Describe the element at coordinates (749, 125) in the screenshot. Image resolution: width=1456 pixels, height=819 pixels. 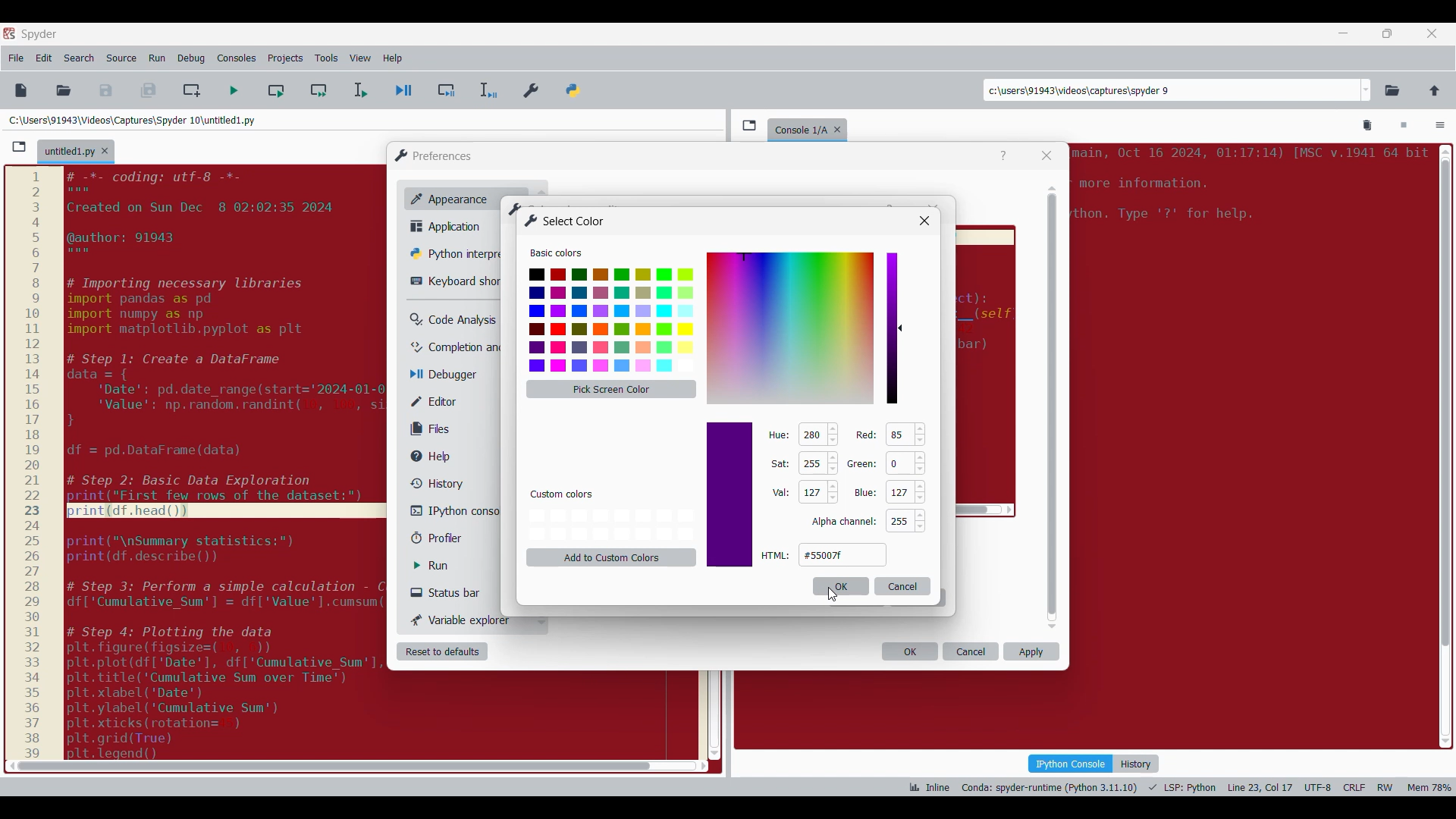
I see `Browse tabs` at that location.